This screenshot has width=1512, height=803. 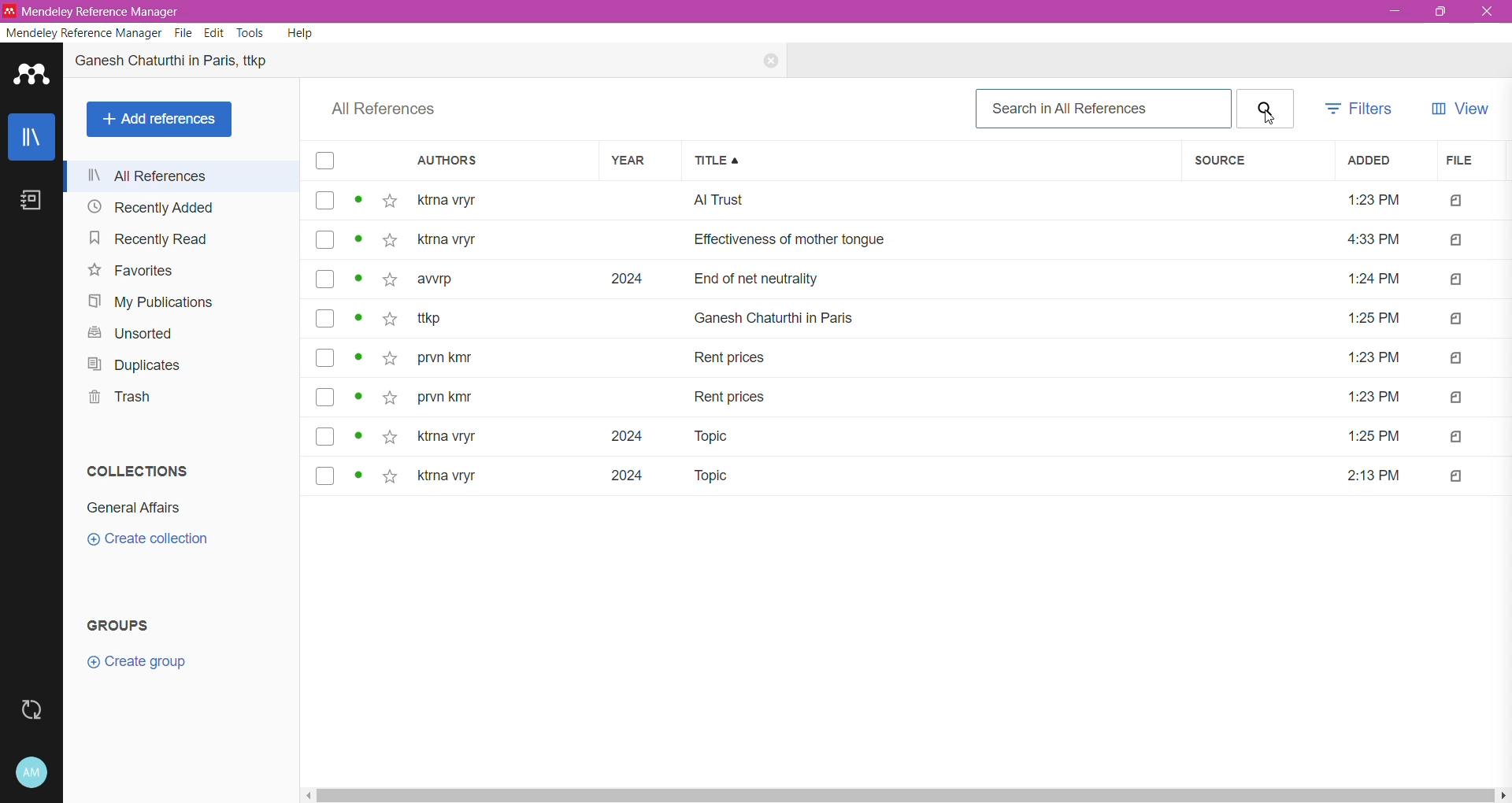 What do you see at coordinates (1381, 161) in the screenshot?
I see `Added` at bounding box center [1381, 161].